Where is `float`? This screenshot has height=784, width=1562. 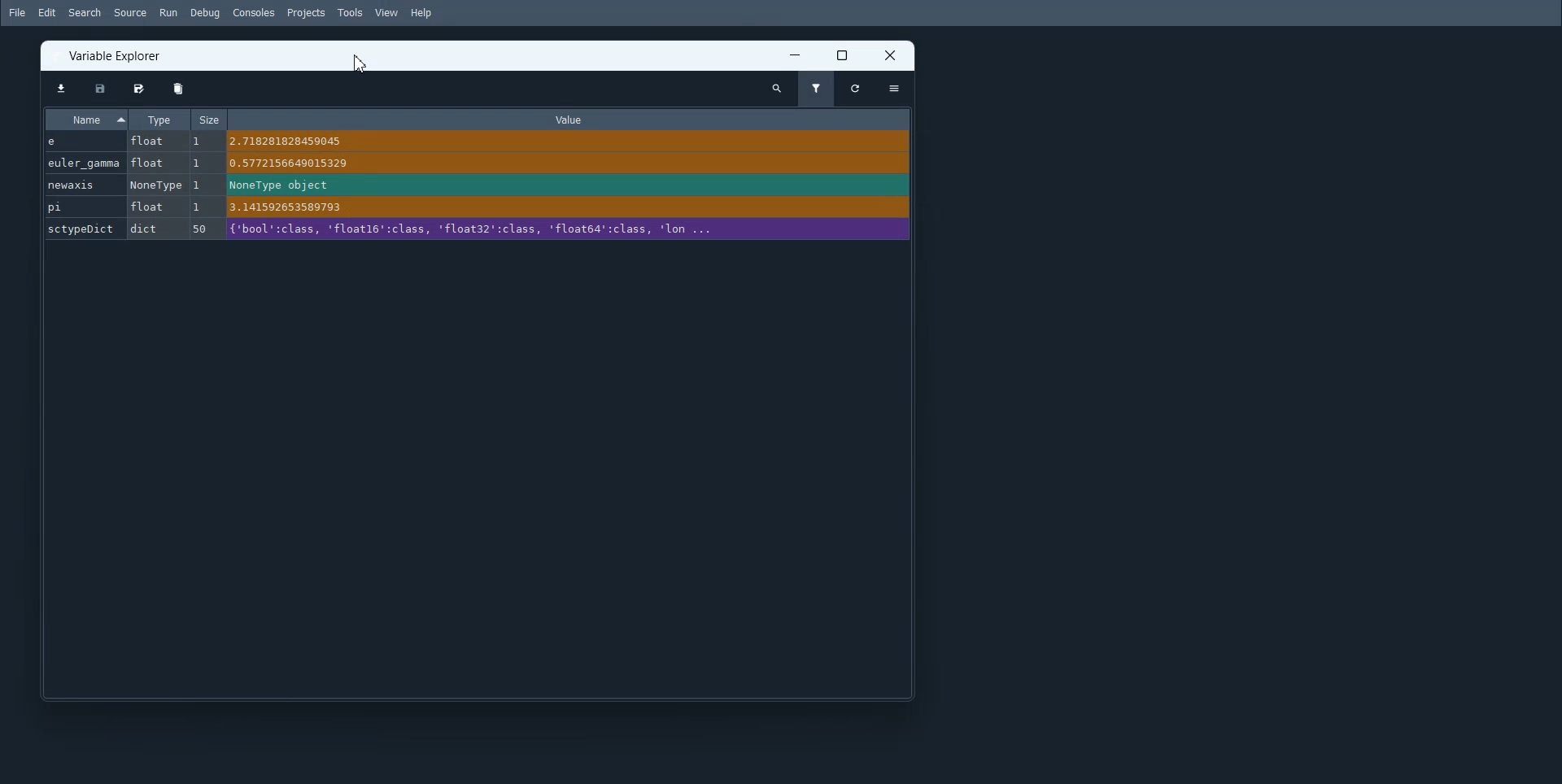 float is located at coordinates (151, 206).